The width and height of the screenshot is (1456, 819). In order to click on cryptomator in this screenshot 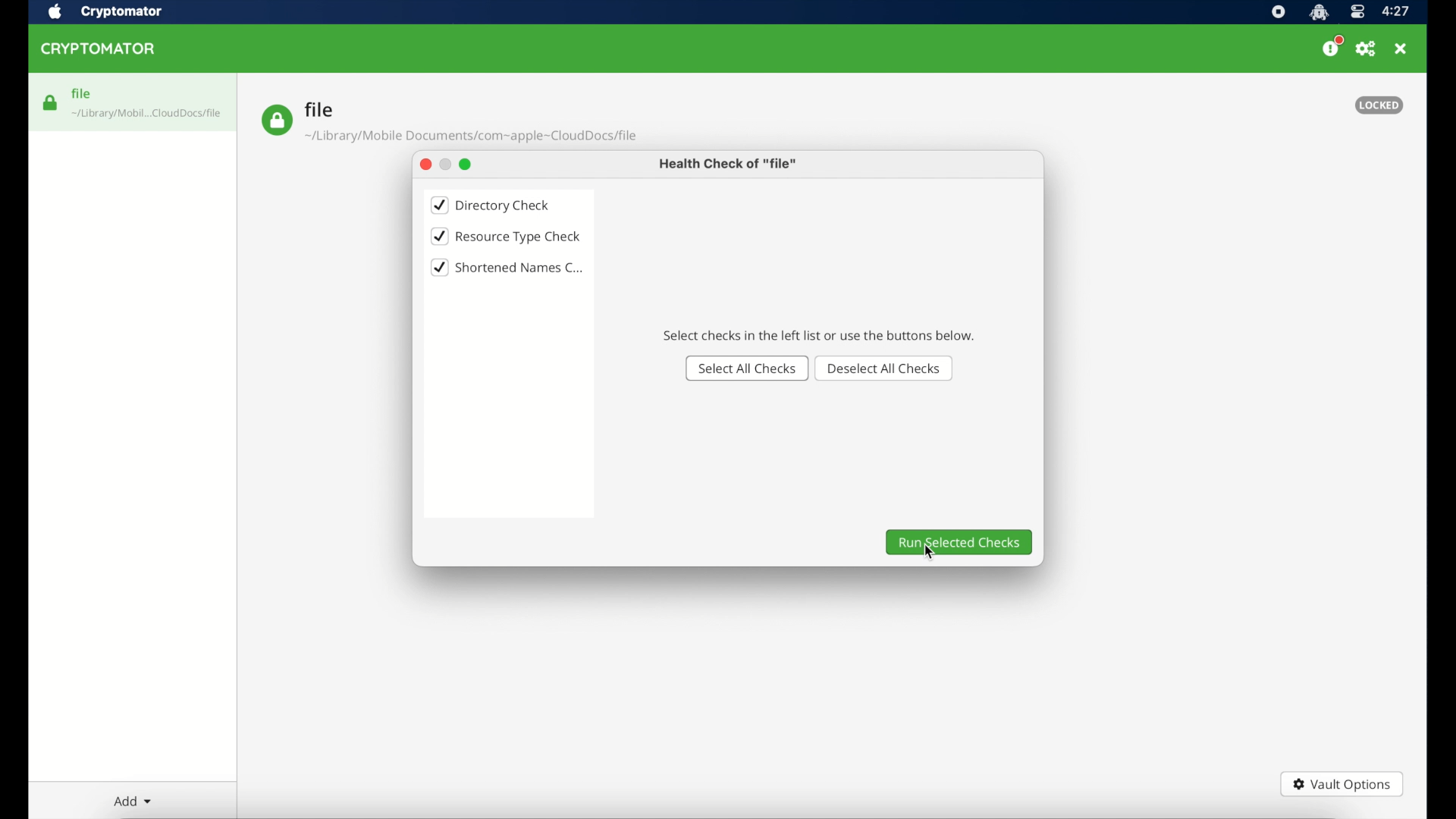, I will do `click(122, 11)`.